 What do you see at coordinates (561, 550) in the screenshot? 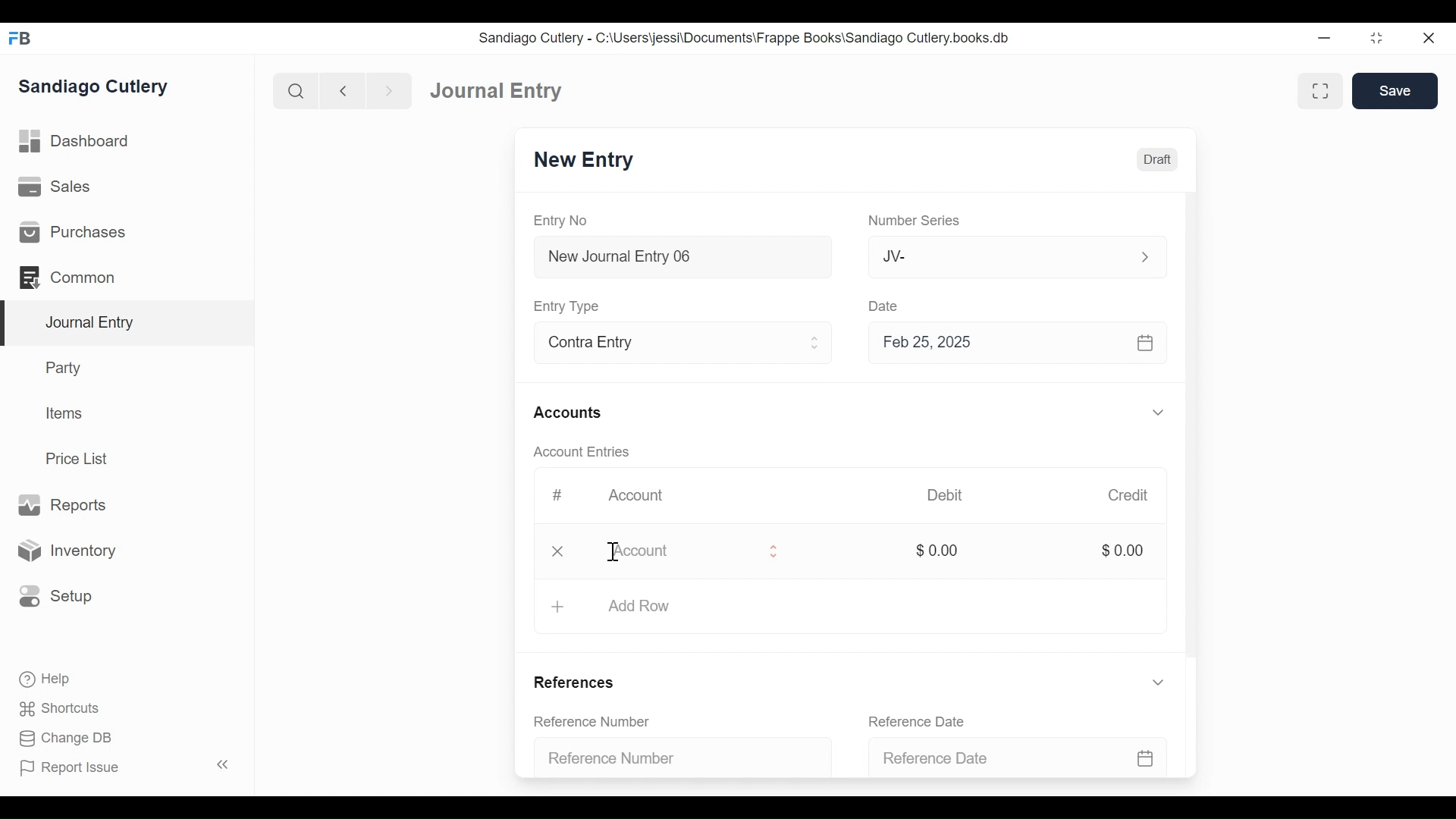
I see `close` at bounding box center [561, 550].